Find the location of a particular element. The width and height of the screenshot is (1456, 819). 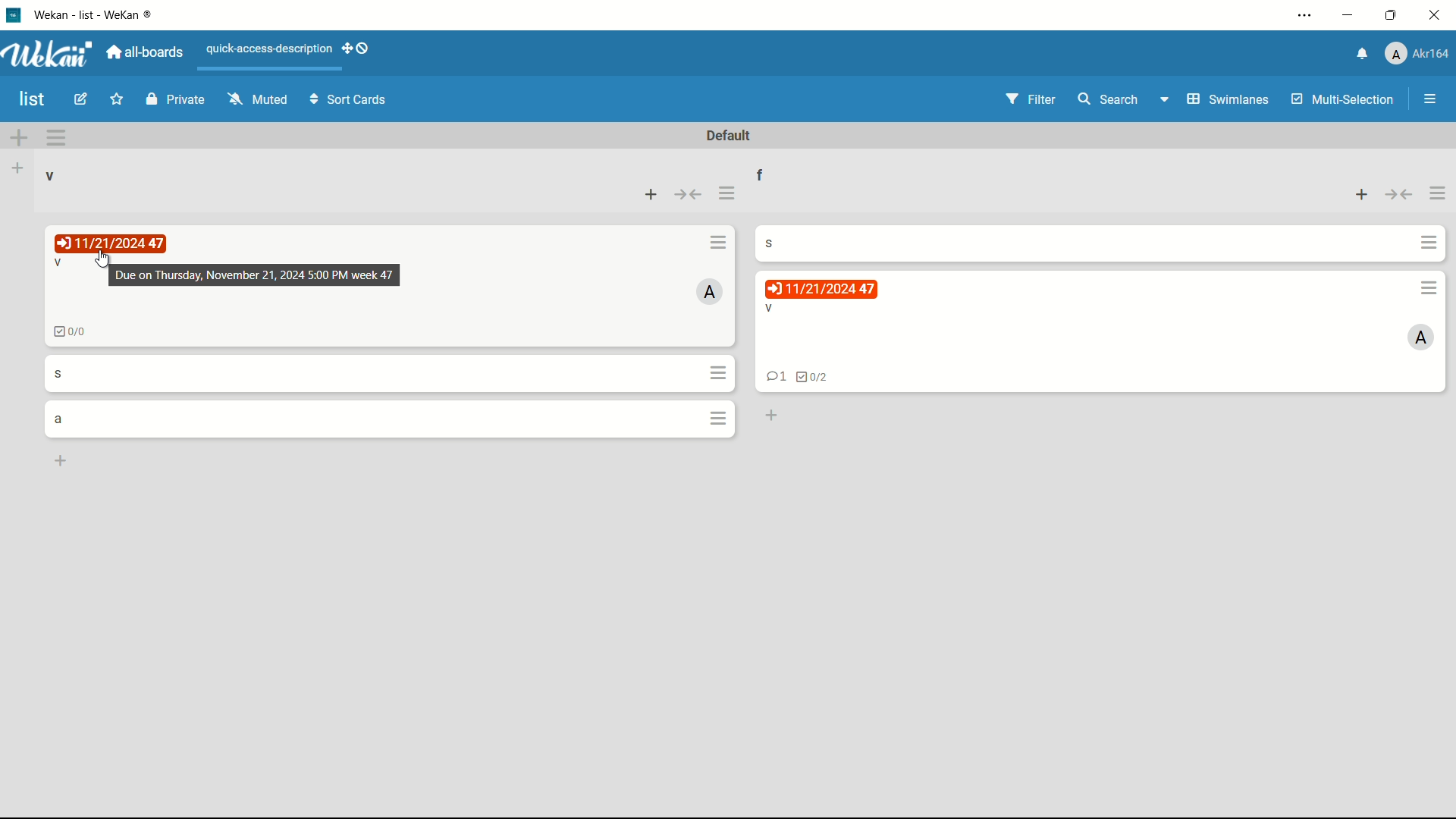

notifications is located at coordinates (1363, 55).